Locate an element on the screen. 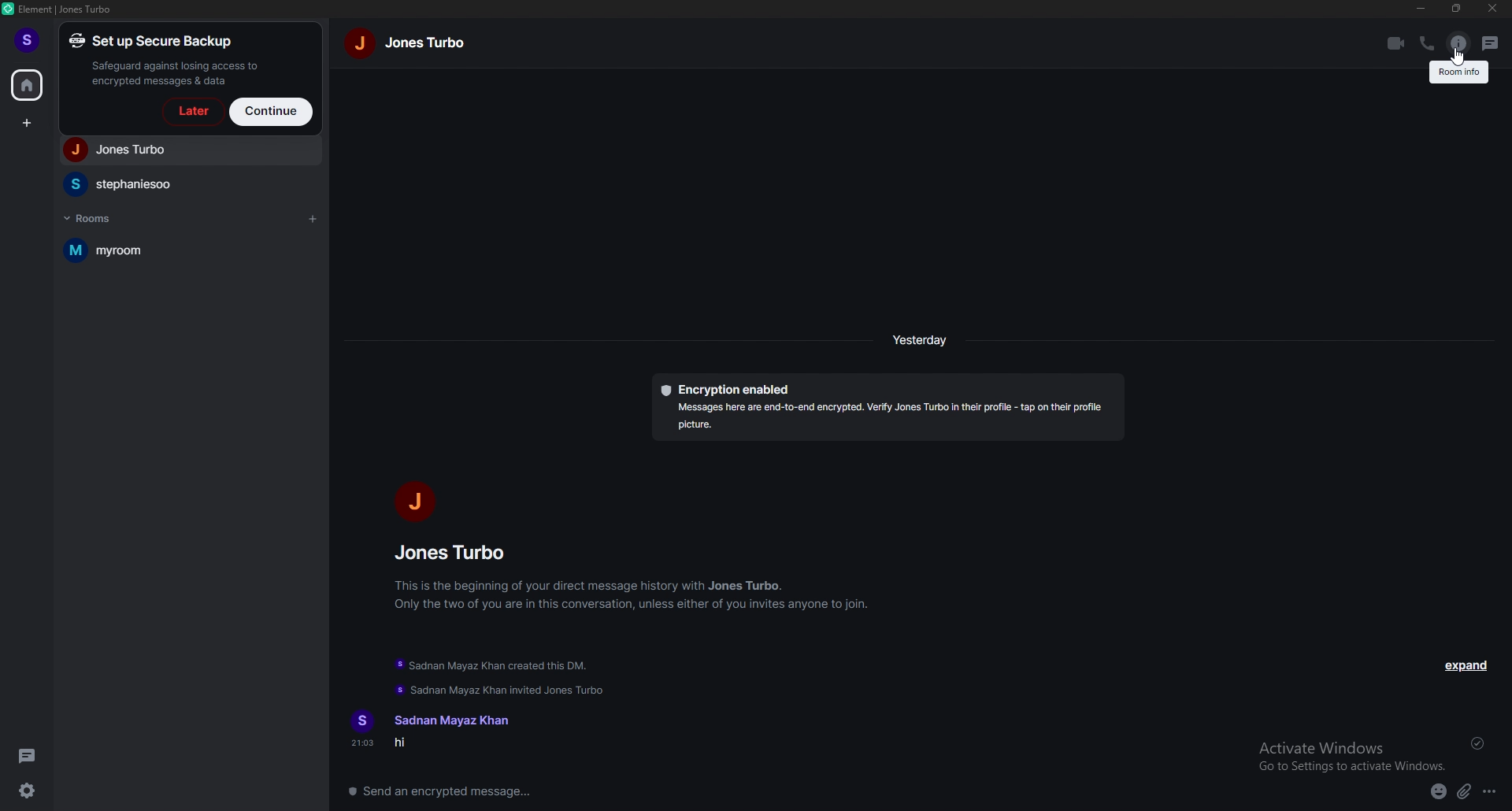 This screenshot has width=1512, height=811. create space is located at coordinates (29, 124).